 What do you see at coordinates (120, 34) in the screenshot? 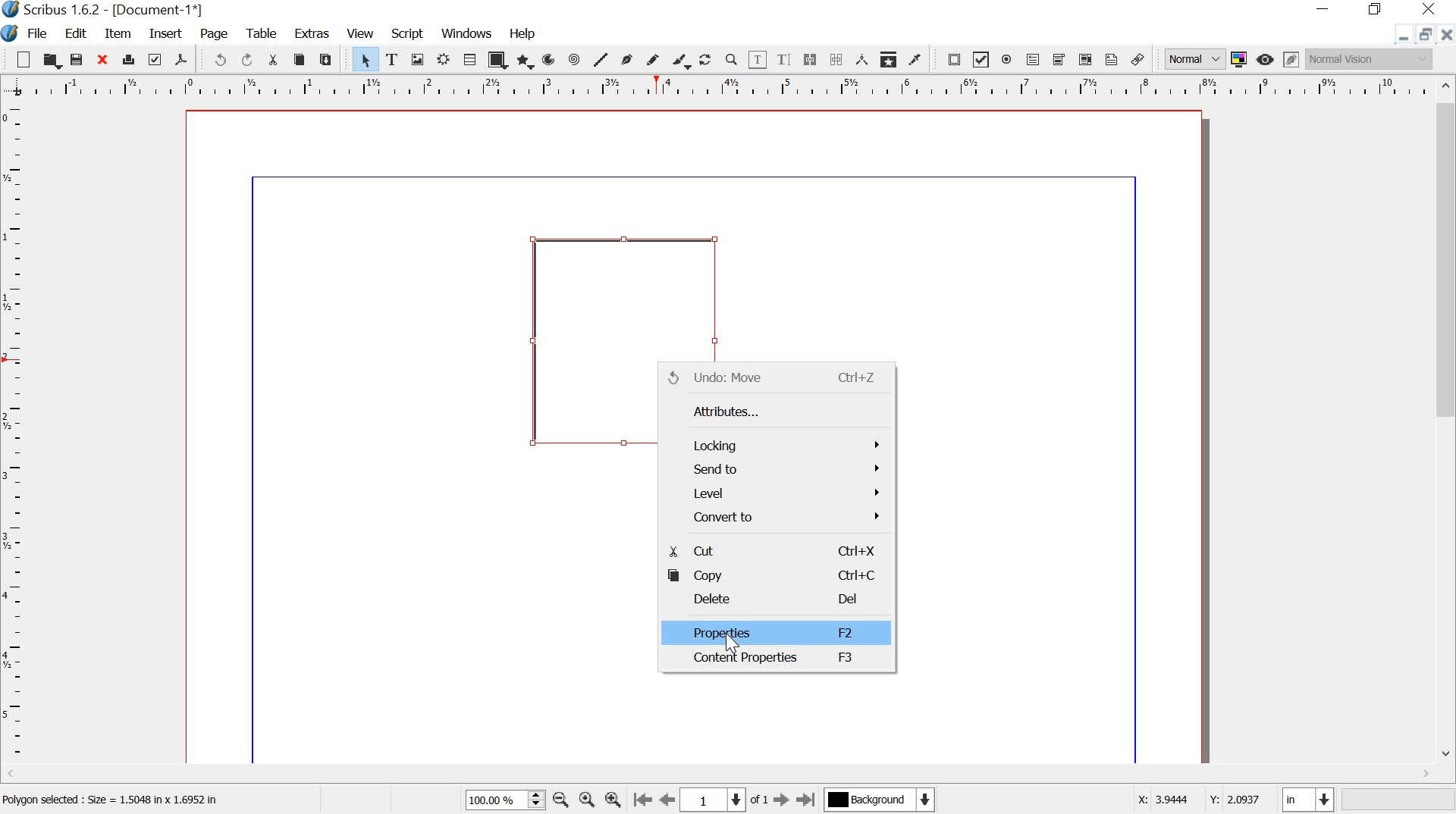
I see `item` at bounding box center [120, 34].